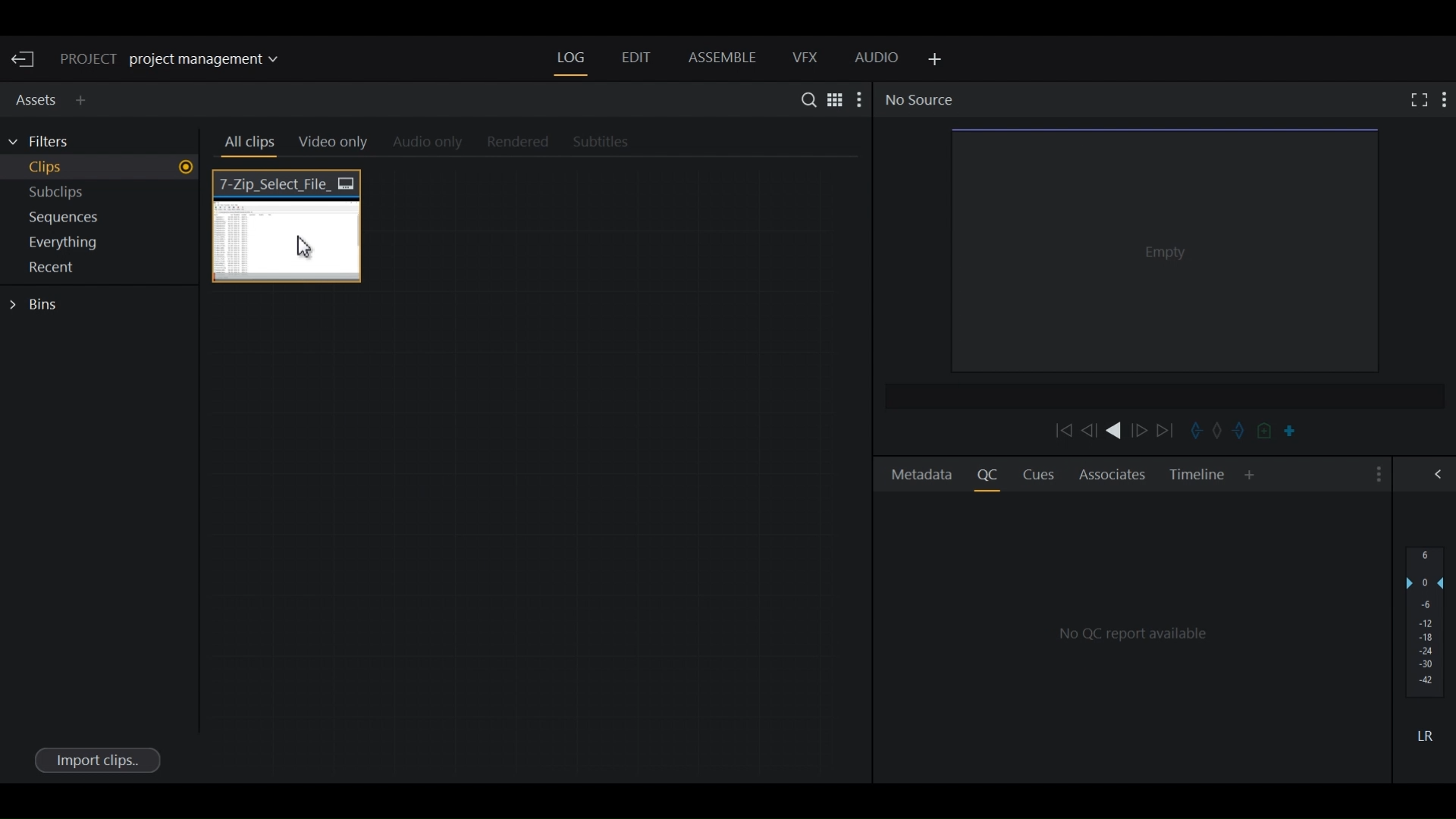 Image resolution: width=1456 pixels, height=819 pixels. I want to click on Timeline, so click(1197, 475).